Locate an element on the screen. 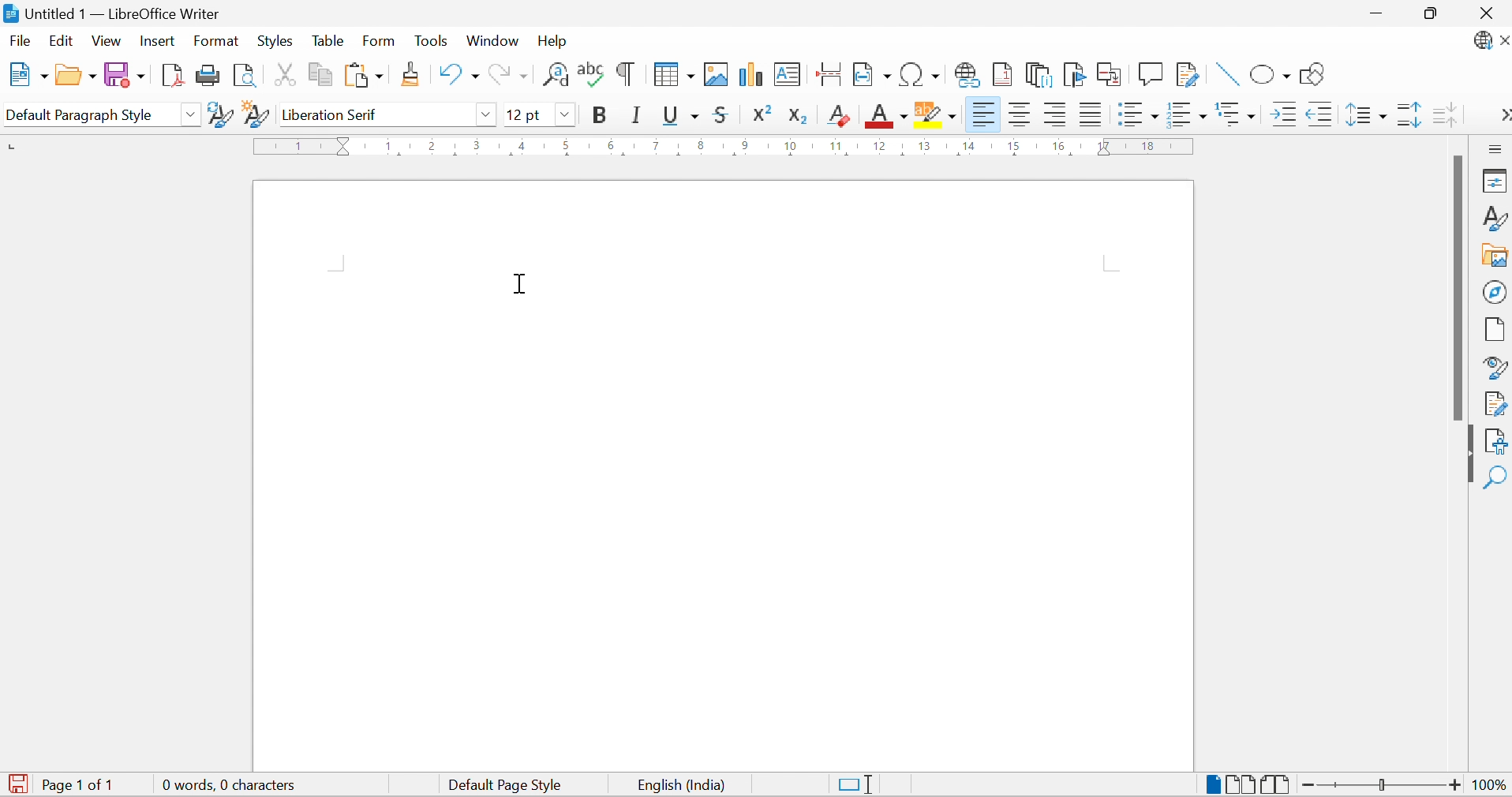 This screenshot has height=797, width=1512. Toggle Print Preview is located at coordinates (243, 75).